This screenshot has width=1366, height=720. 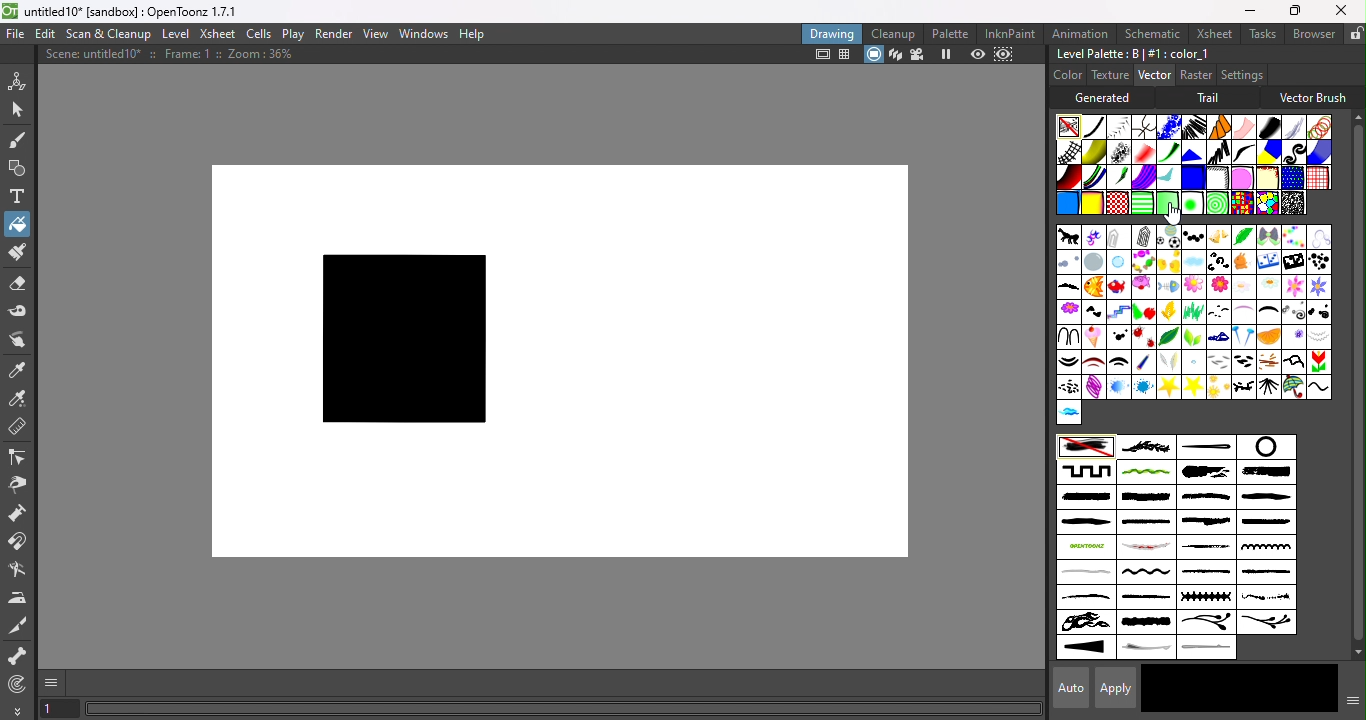 What do you see at coordinates (1119, 236) in the screenshot?
I see `atta` at bounding box center [1119, 236].